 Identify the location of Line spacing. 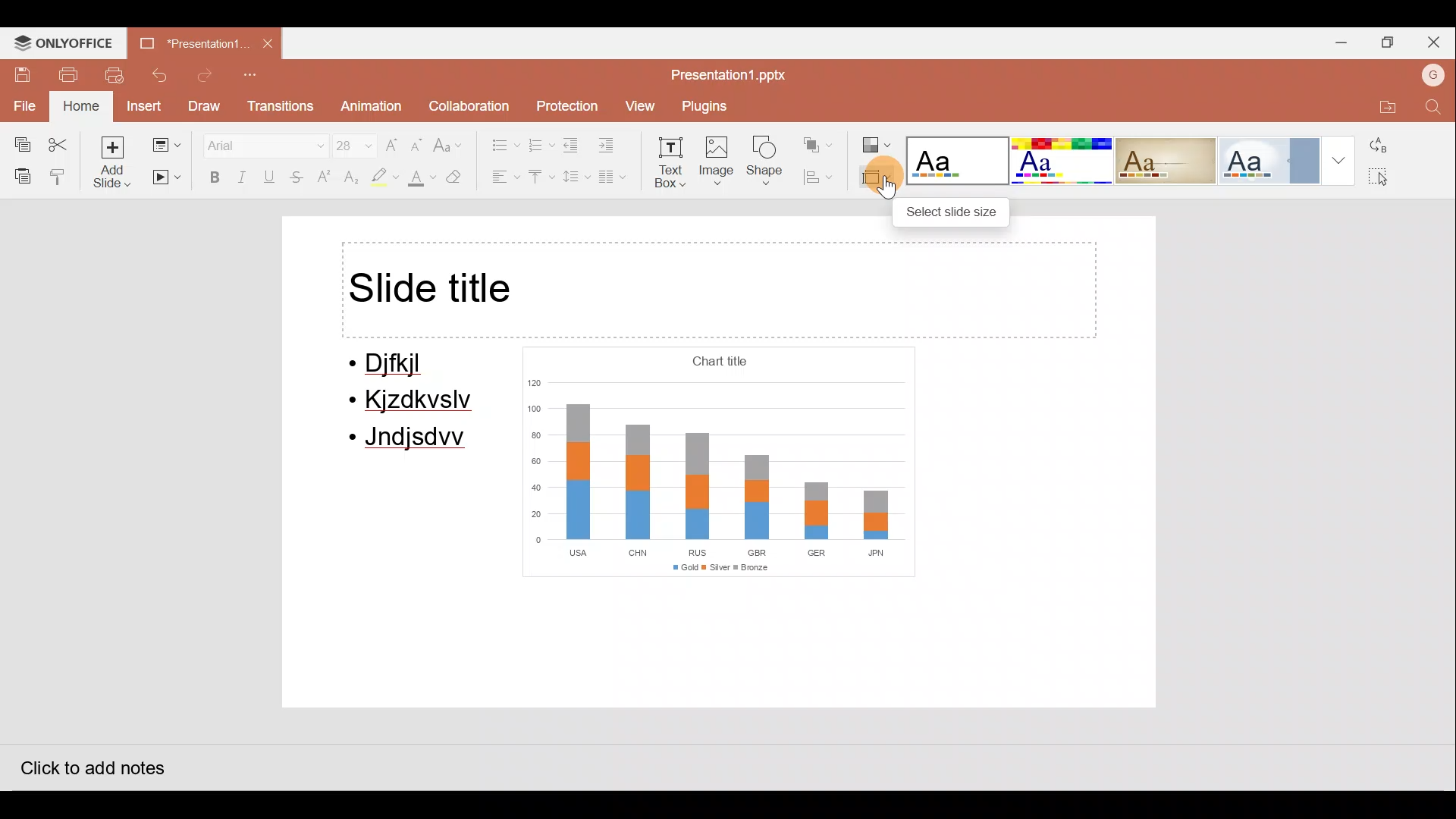
(574, 177).